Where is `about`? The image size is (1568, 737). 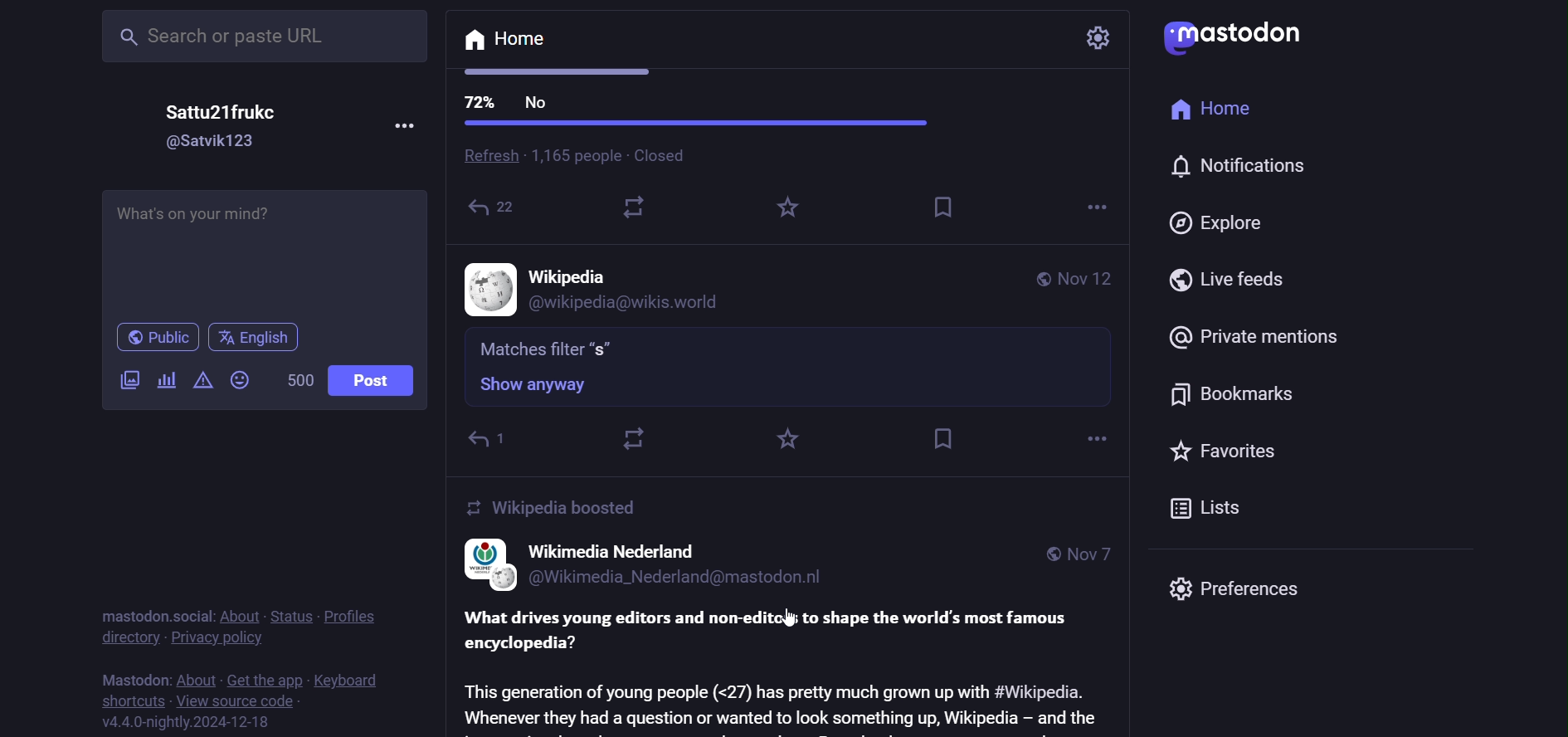
about is located at coordinates (238, 612).